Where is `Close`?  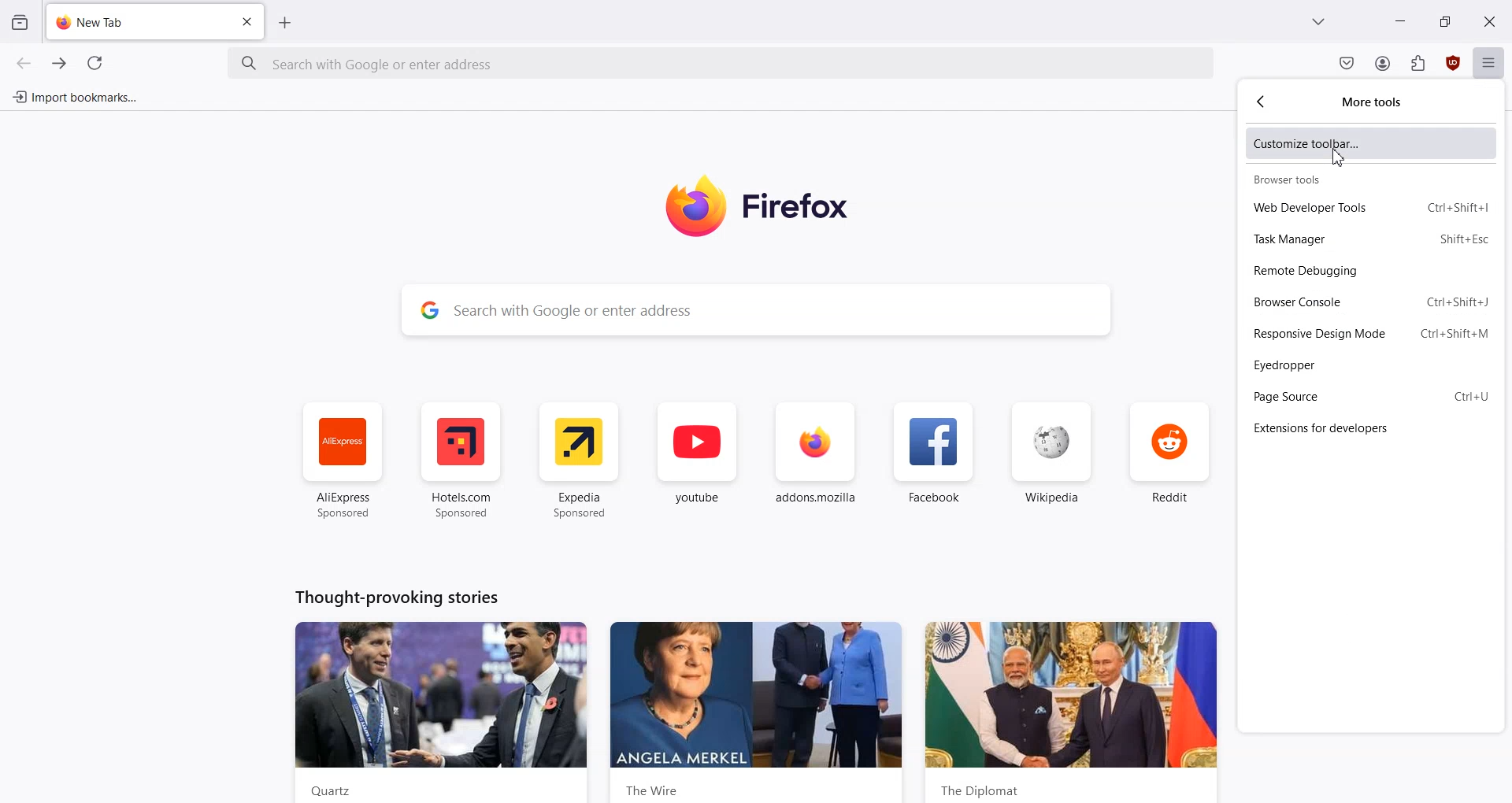 Close is located at coordinates (1489, 20).